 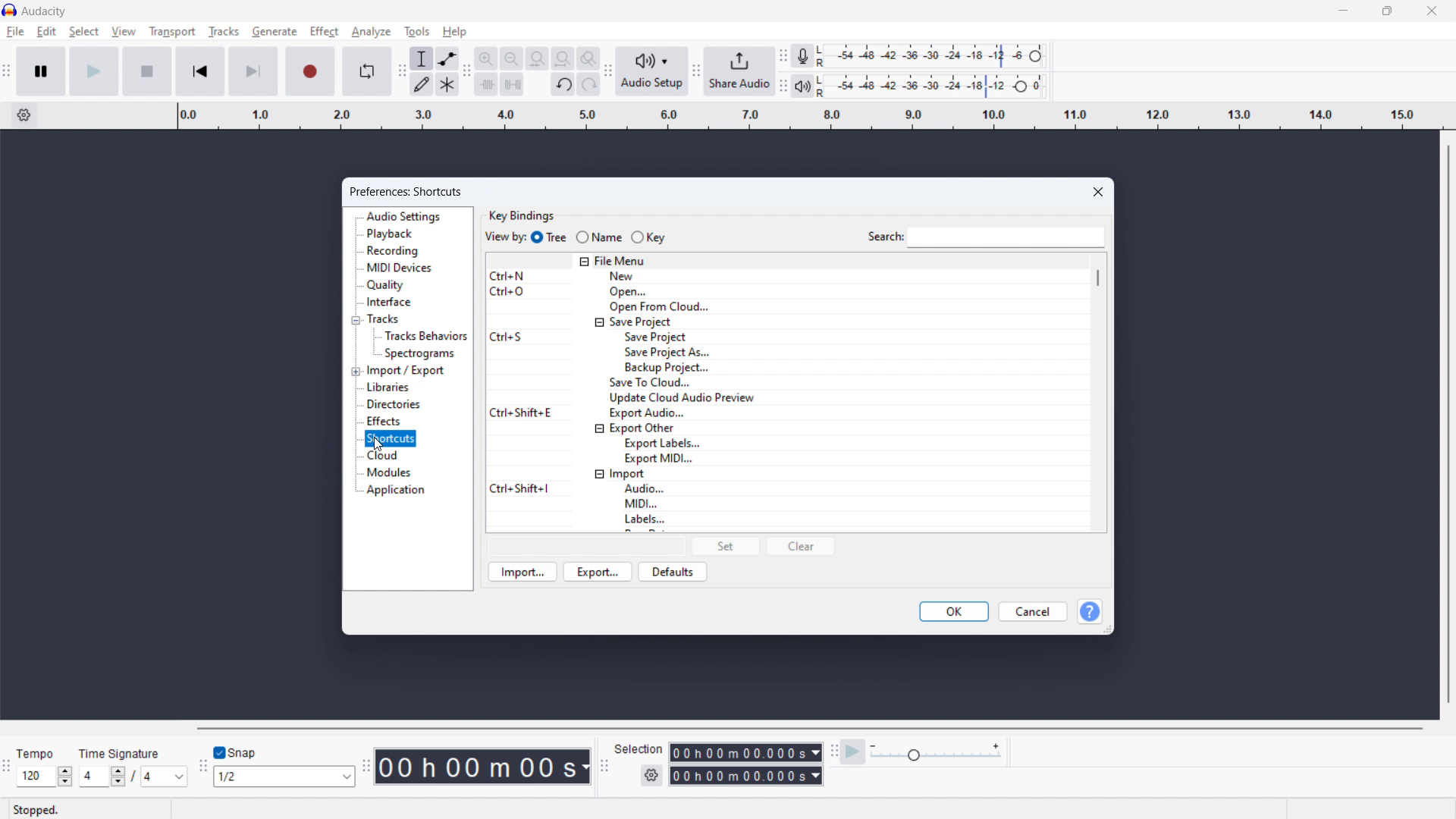 What do you see at coordinates (529, 392) in the screenshot?
I see `Keyboard shortcuts` at bounding box center [529, 392].